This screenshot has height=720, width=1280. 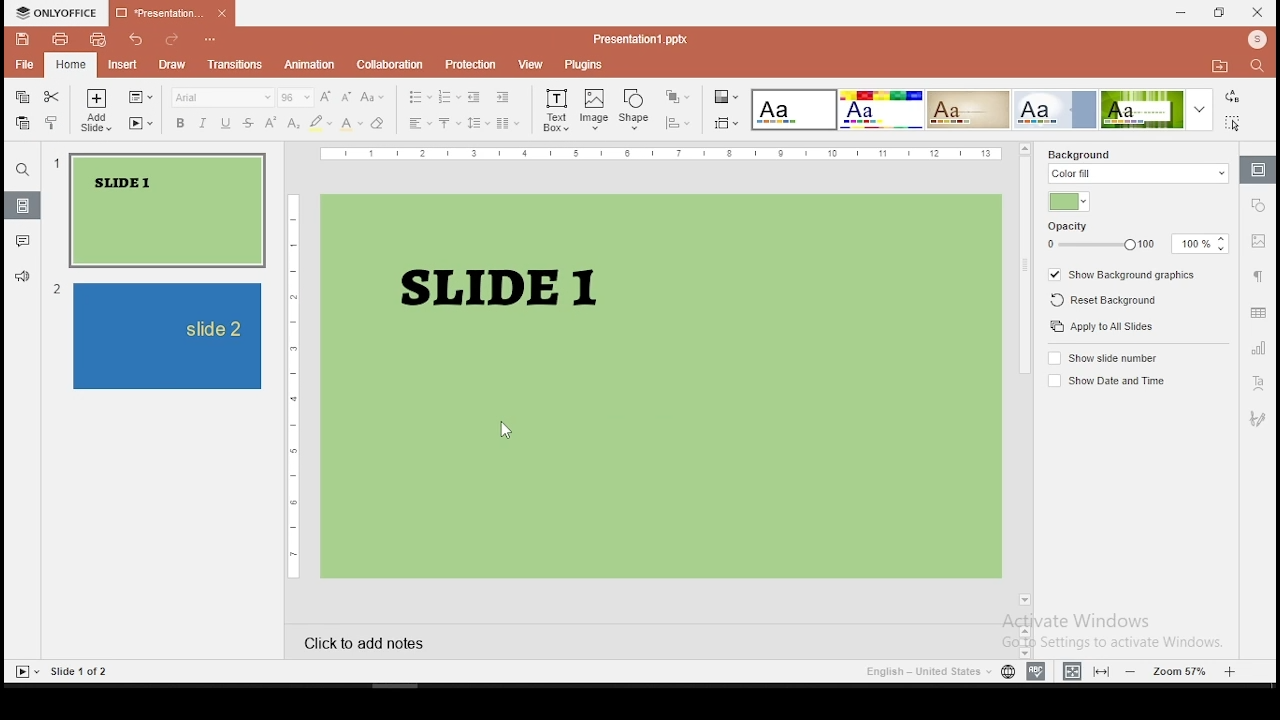 What do you see at coordinates (727, 122) in the screenshot?
I see `select slide size` at bounding box center [727, 122].